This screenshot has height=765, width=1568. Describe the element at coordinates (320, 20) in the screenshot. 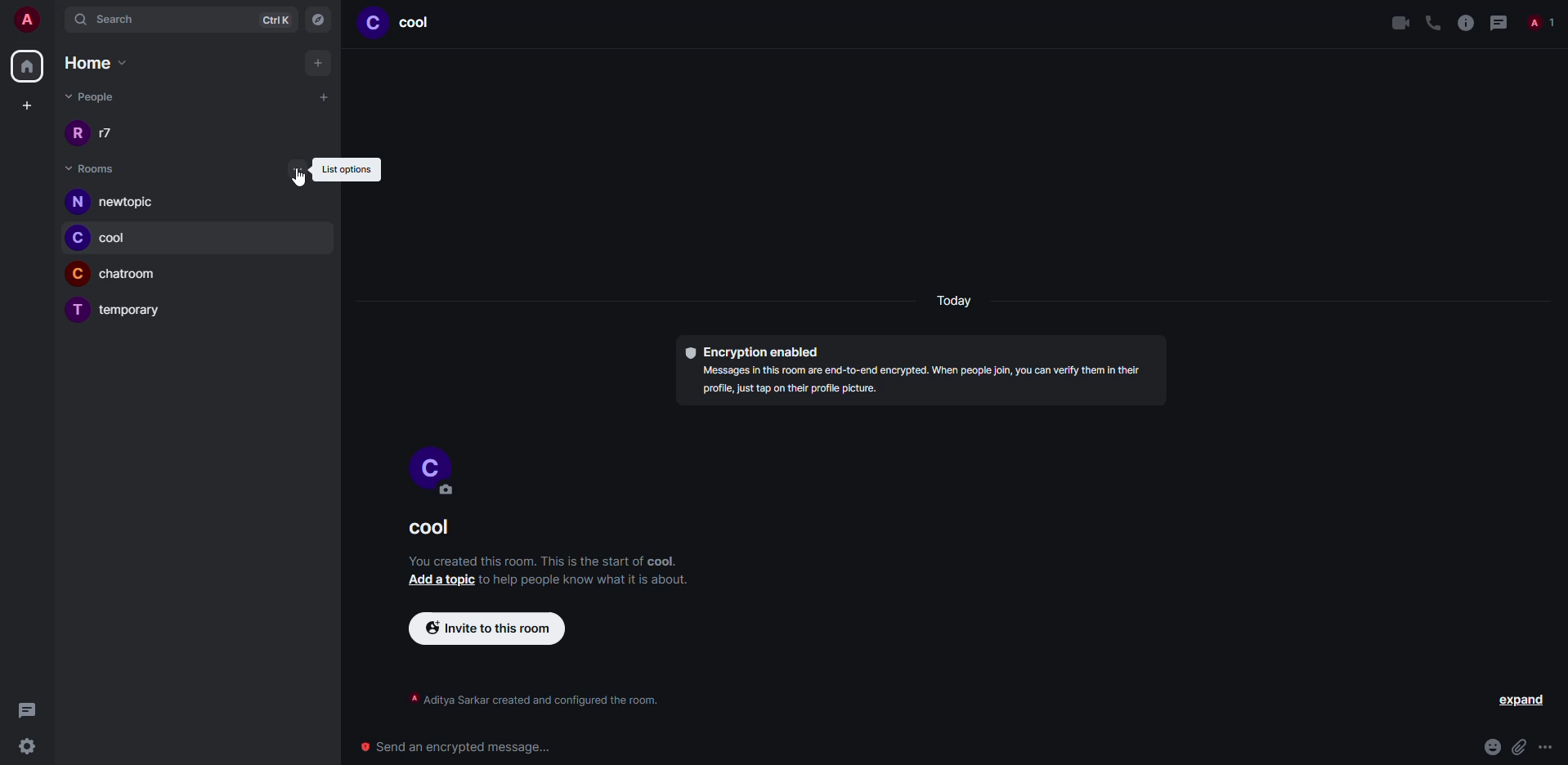

I see `navigator` at that location.